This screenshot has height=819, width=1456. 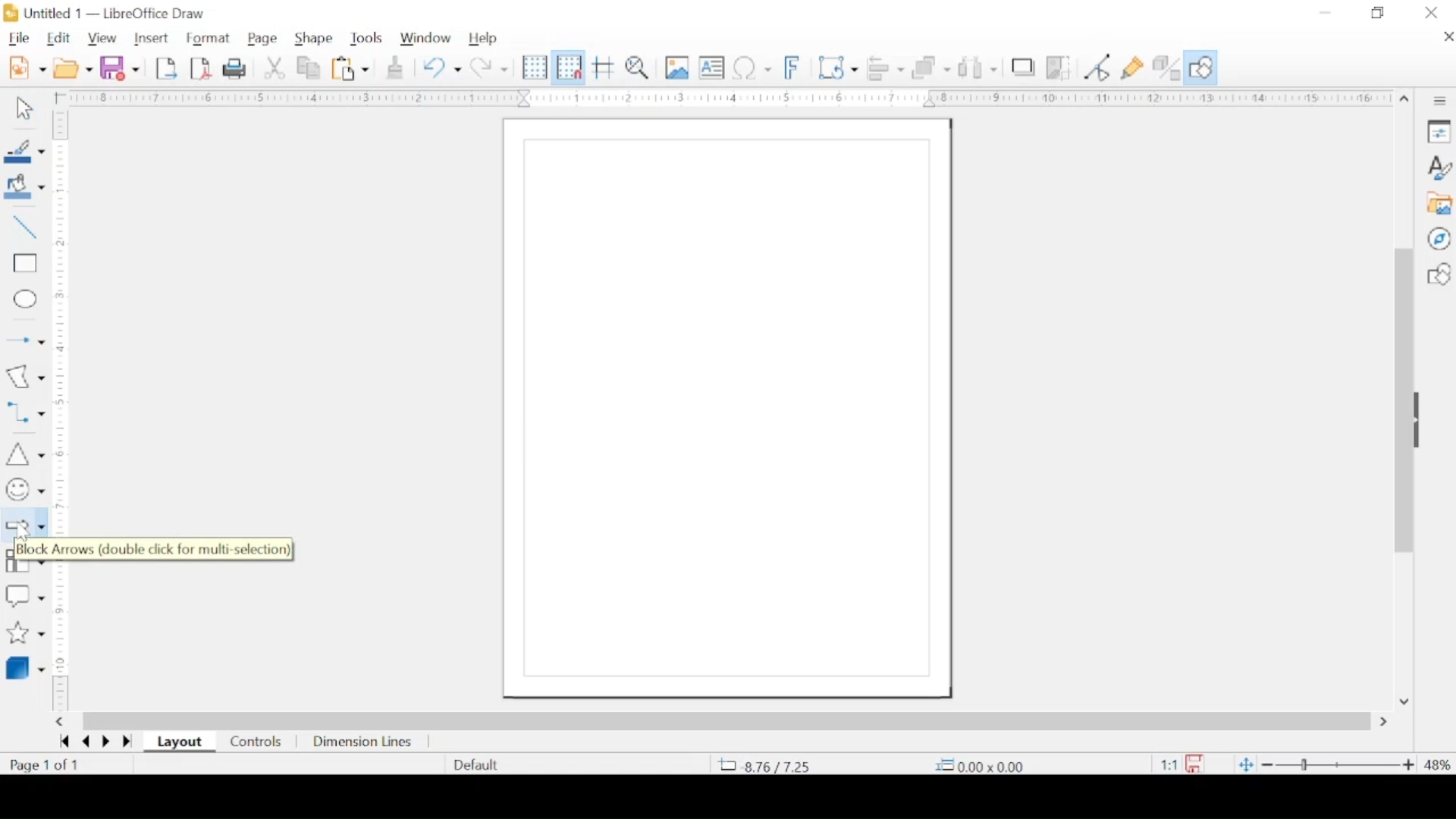 What do you see at coordinates (200, 69) in the screenshot?
I see `export directly as pdf` at bounding box center [200, 69].